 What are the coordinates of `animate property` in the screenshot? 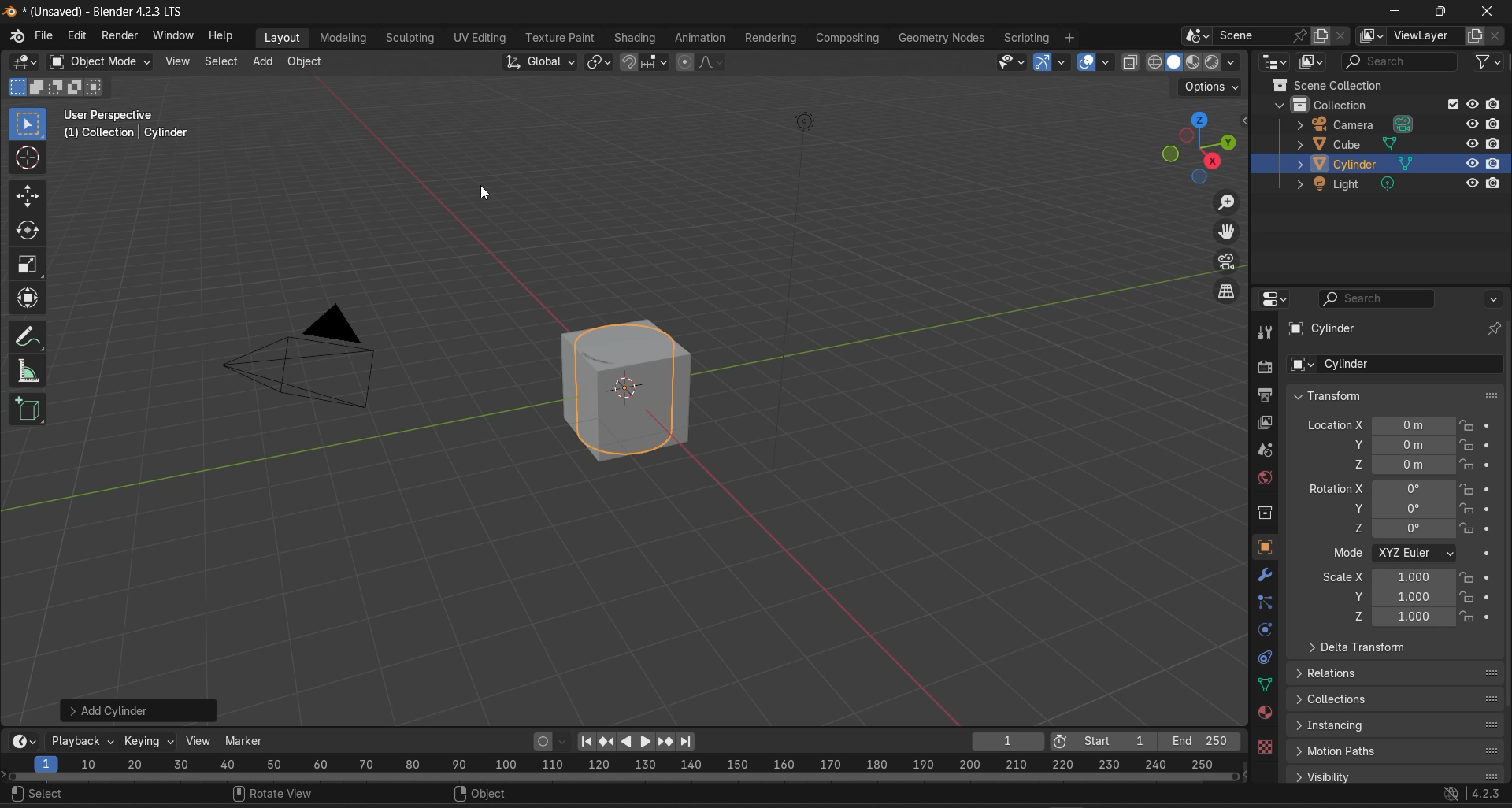 It's located at (1489, 595).